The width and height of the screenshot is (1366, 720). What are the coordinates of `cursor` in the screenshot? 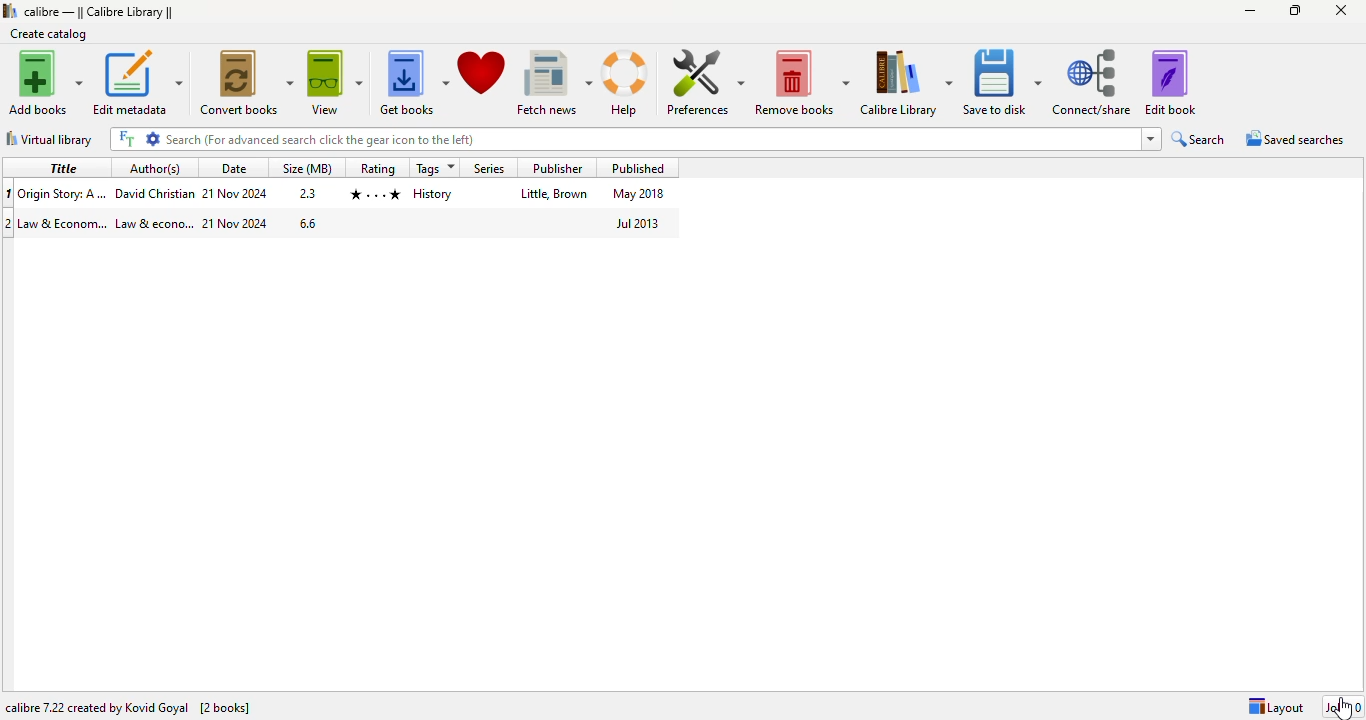 It's located at (1344, 708).